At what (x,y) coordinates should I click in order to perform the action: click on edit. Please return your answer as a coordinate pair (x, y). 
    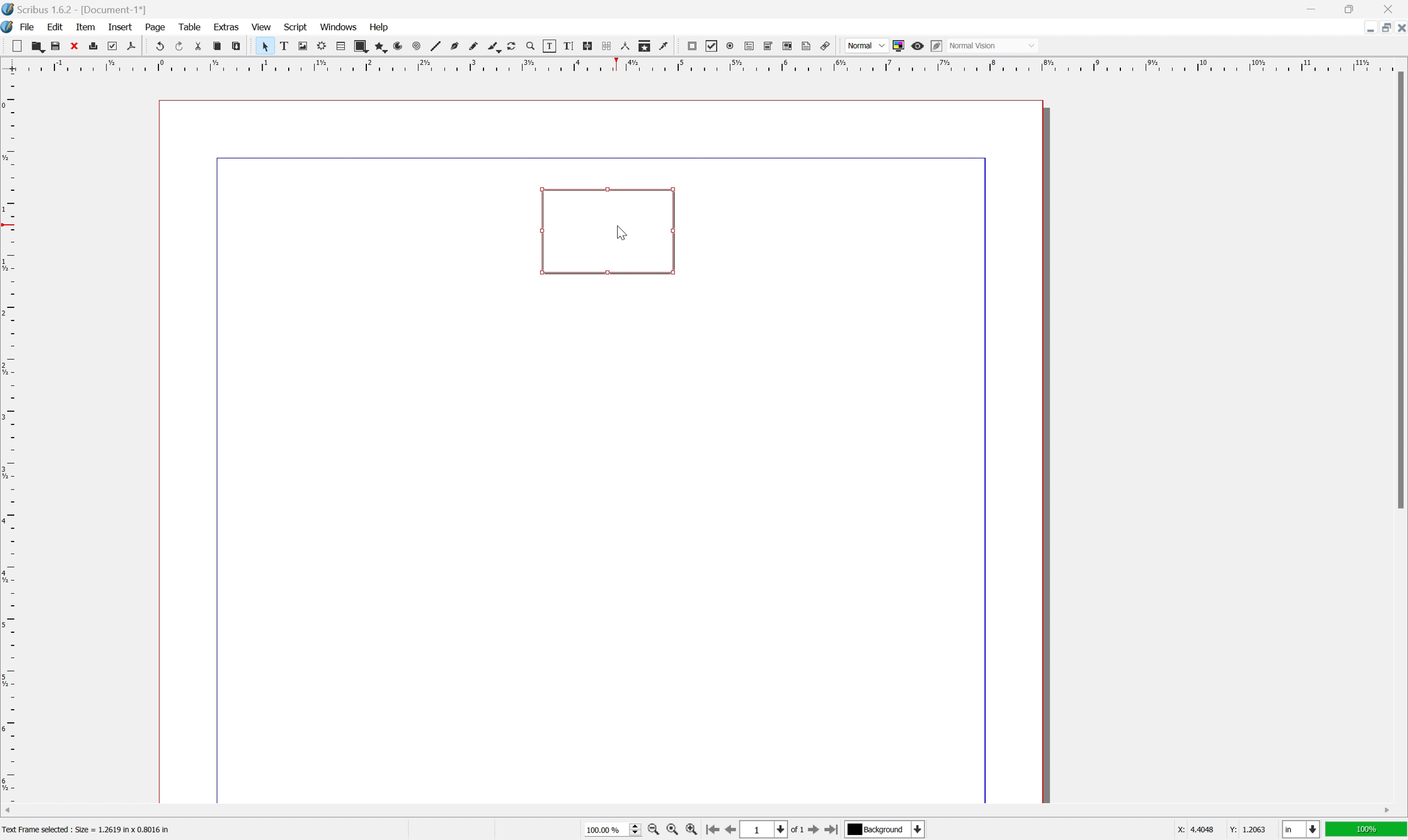
    Looking at the image, I should click on (57, 27).